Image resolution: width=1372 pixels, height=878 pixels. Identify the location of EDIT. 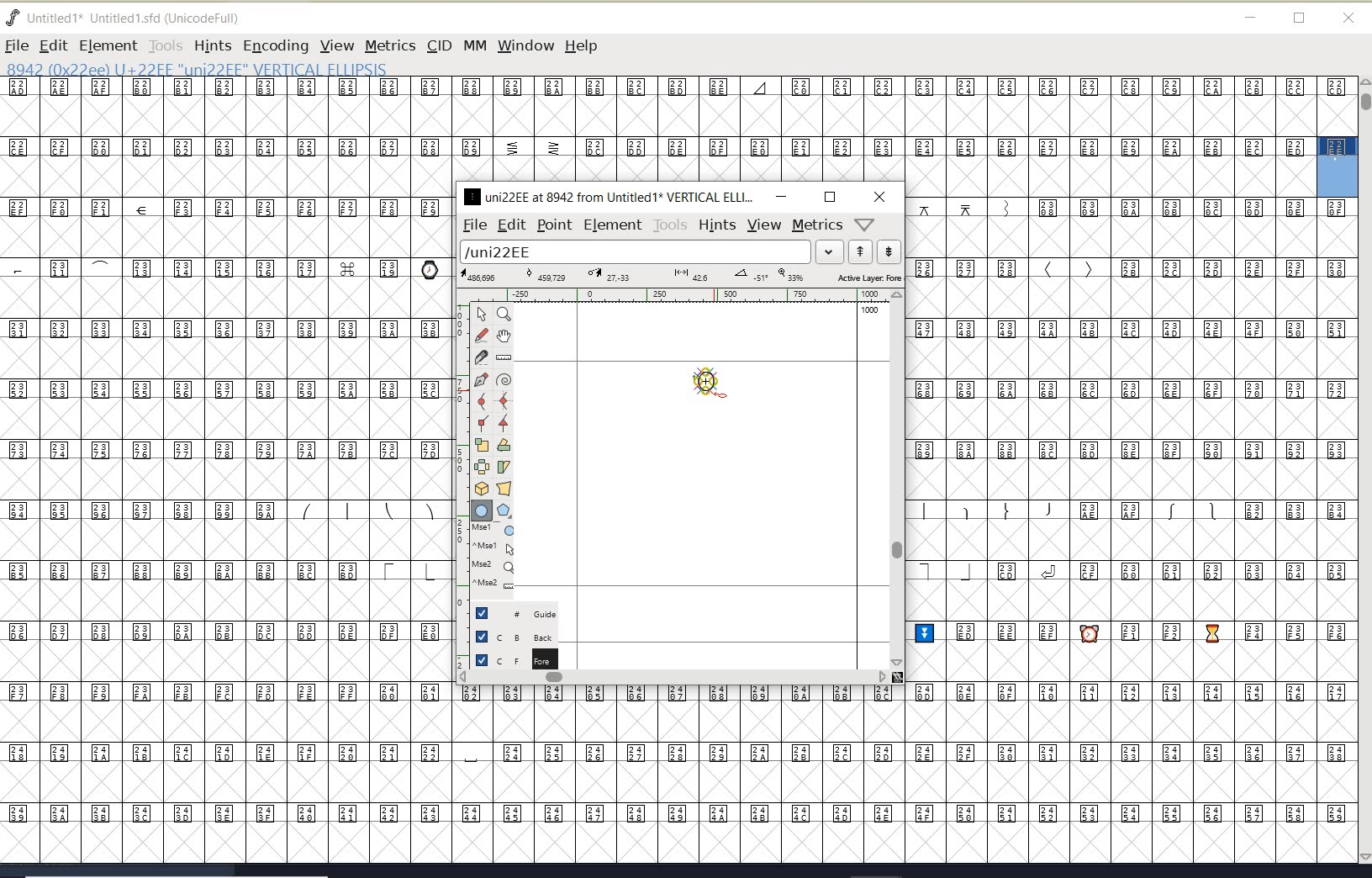
(53, 45).